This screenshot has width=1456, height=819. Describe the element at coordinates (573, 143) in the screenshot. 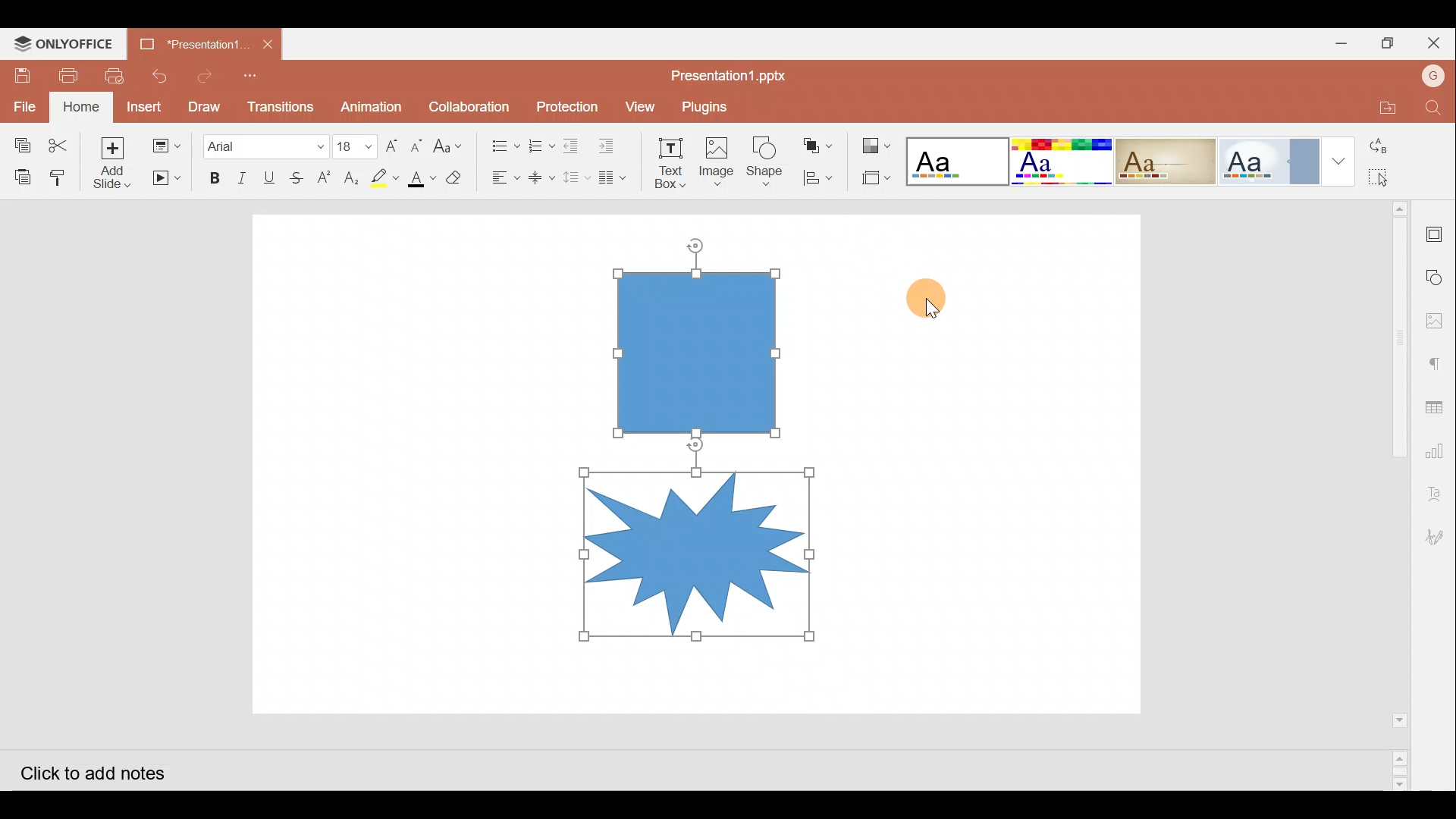

I see `Decrease indent` at that location.